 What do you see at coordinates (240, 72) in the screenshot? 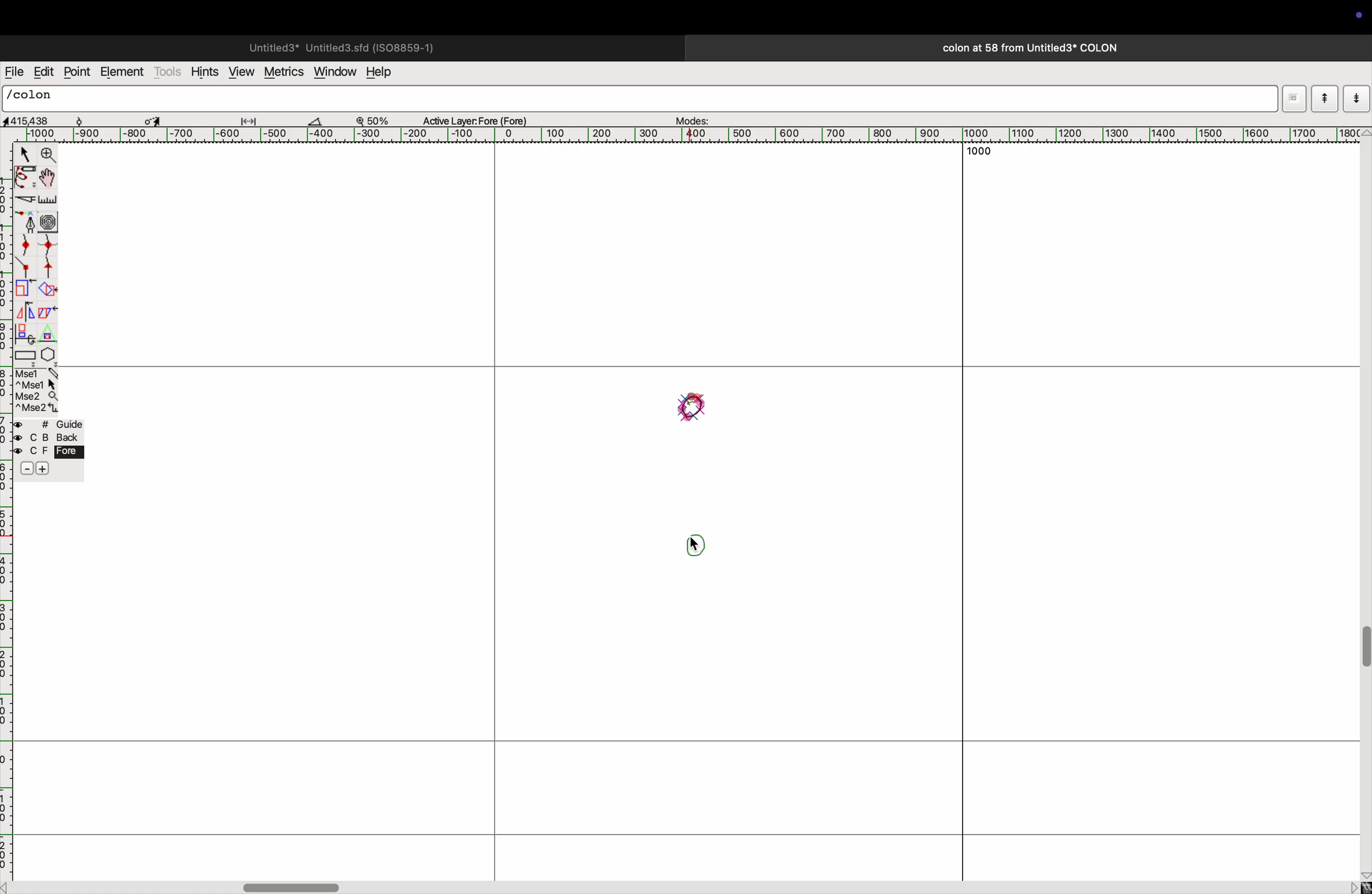
I see `view` at bounding box center [240, 72].